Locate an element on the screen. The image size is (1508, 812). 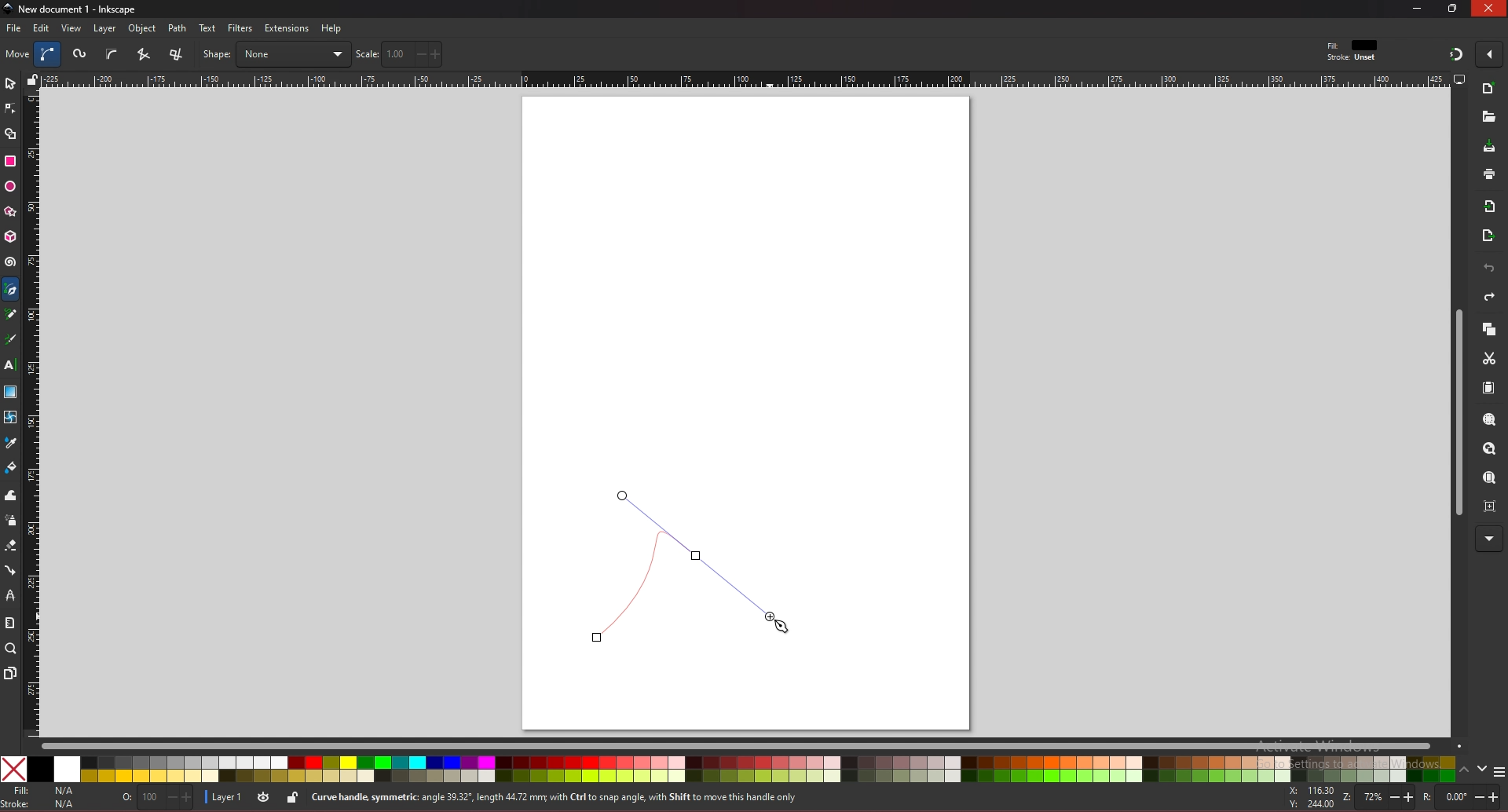
zoom is located at coordinates (11, 648).